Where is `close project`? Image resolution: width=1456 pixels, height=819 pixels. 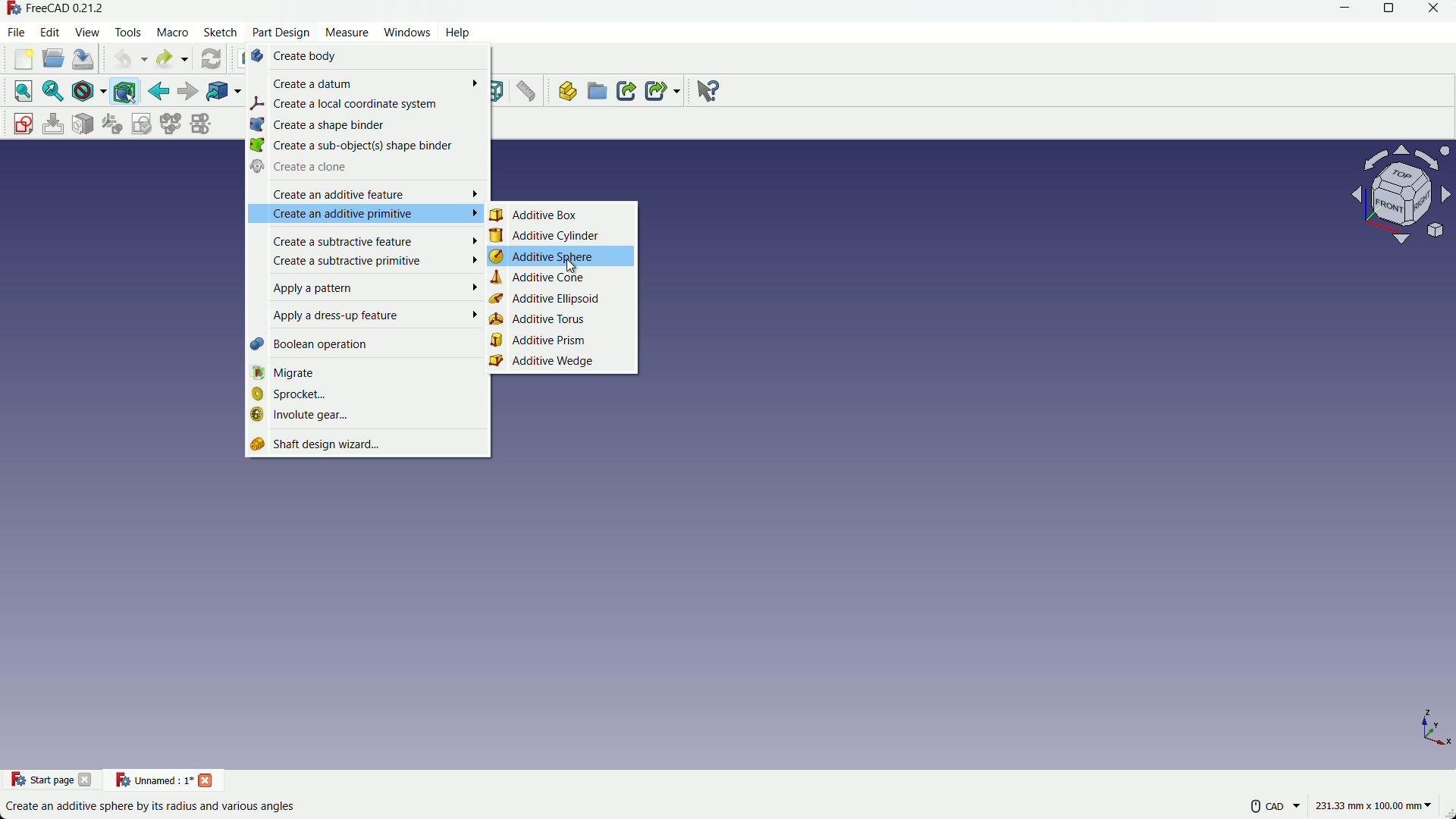
close project is located at coordinates (212, 782).